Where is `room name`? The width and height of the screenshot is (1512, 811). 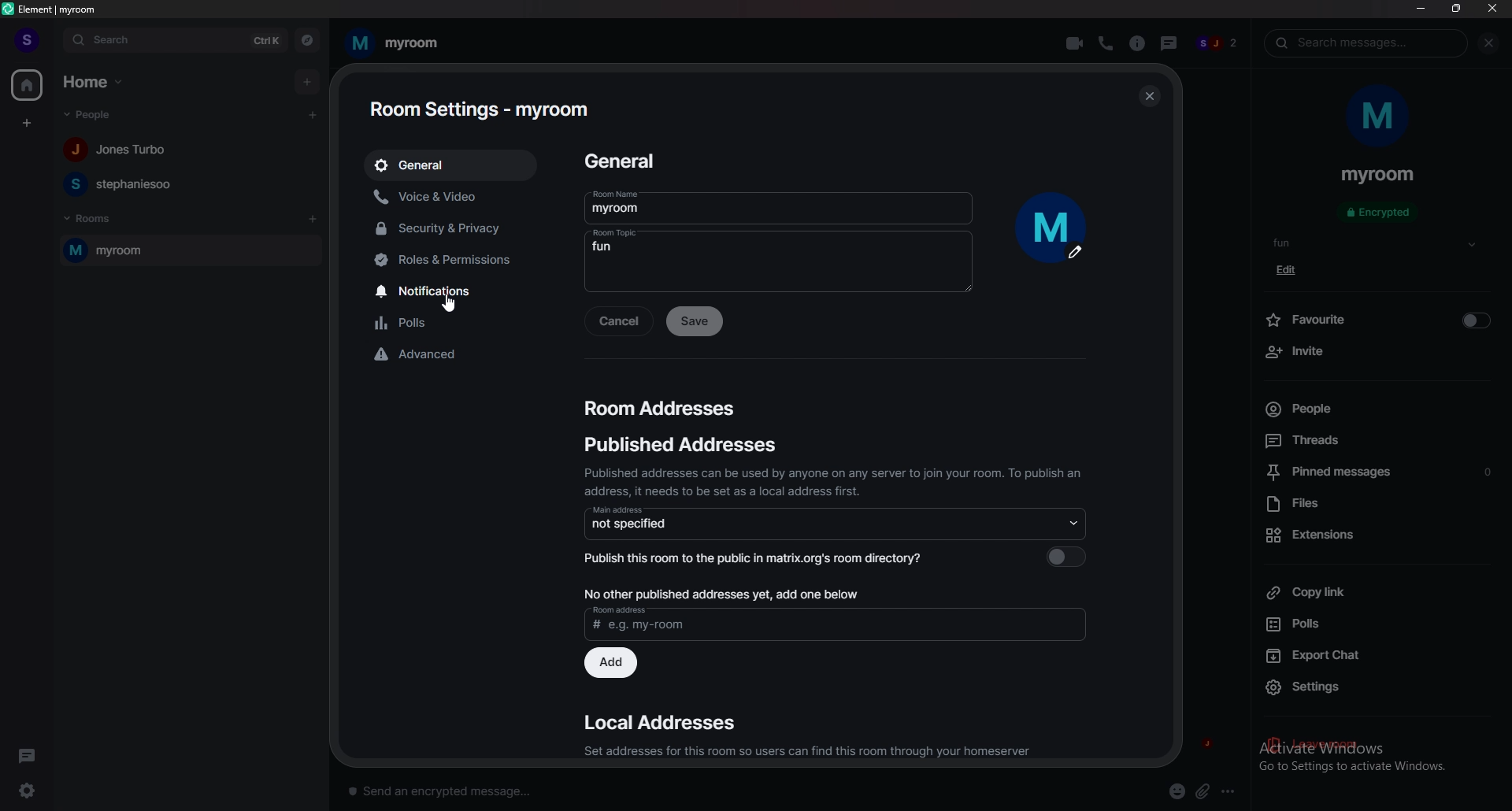
room name is located at coordinates (777, 202).